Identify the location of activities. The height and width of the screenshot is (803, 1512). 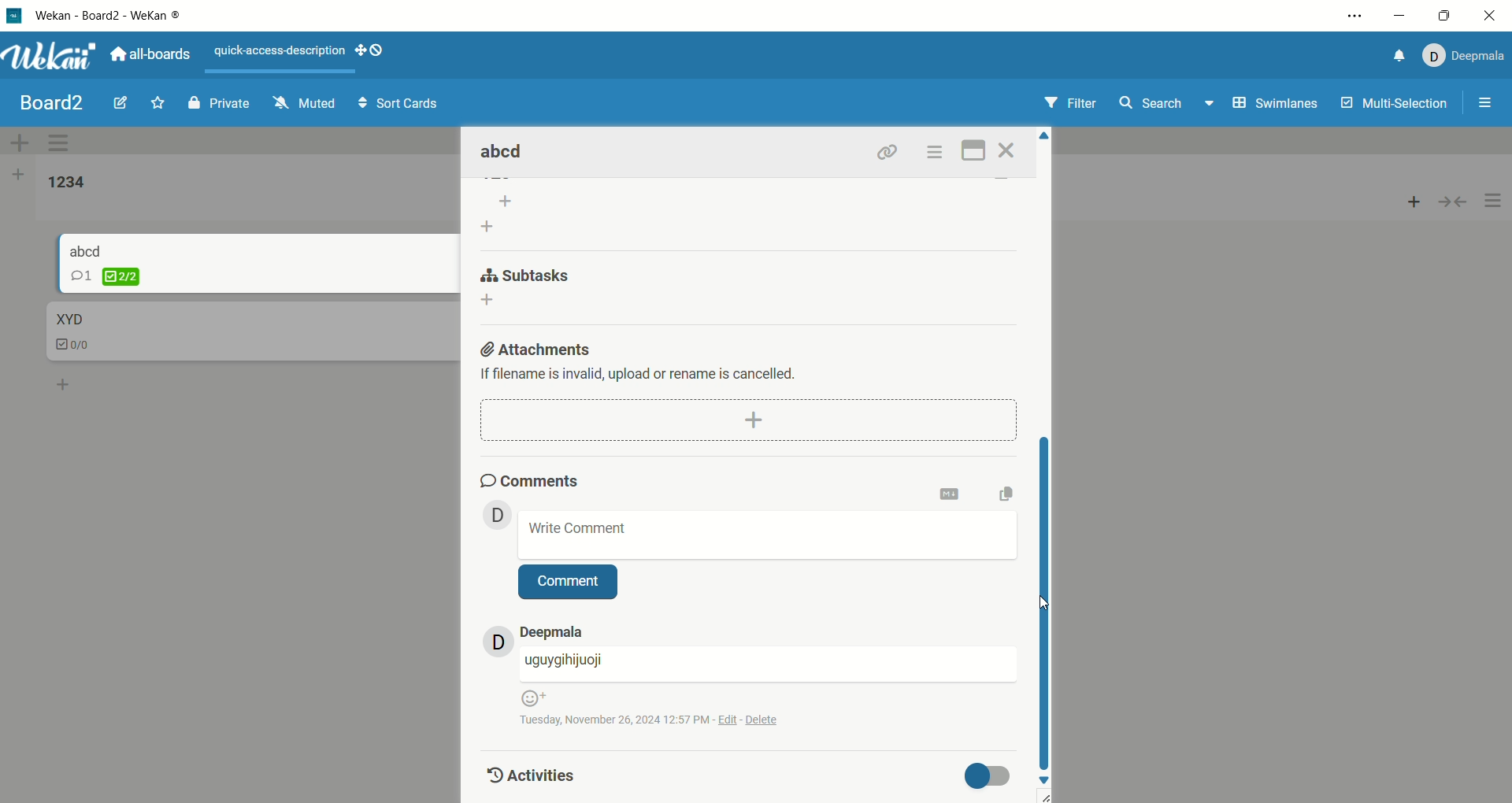
(528, 774).